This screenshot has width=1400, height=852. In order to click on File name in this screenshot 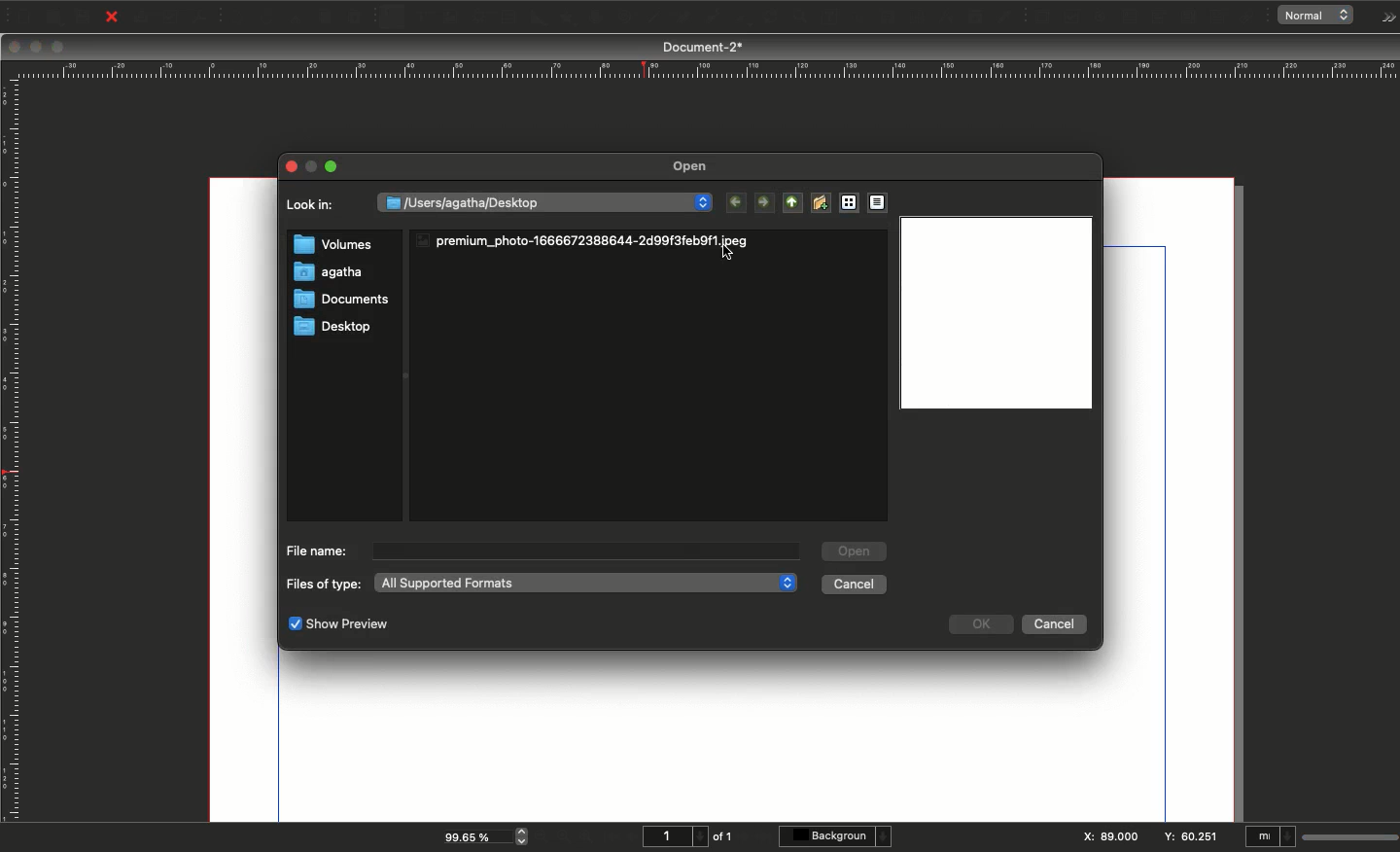, I will do `click(316, 550)`.